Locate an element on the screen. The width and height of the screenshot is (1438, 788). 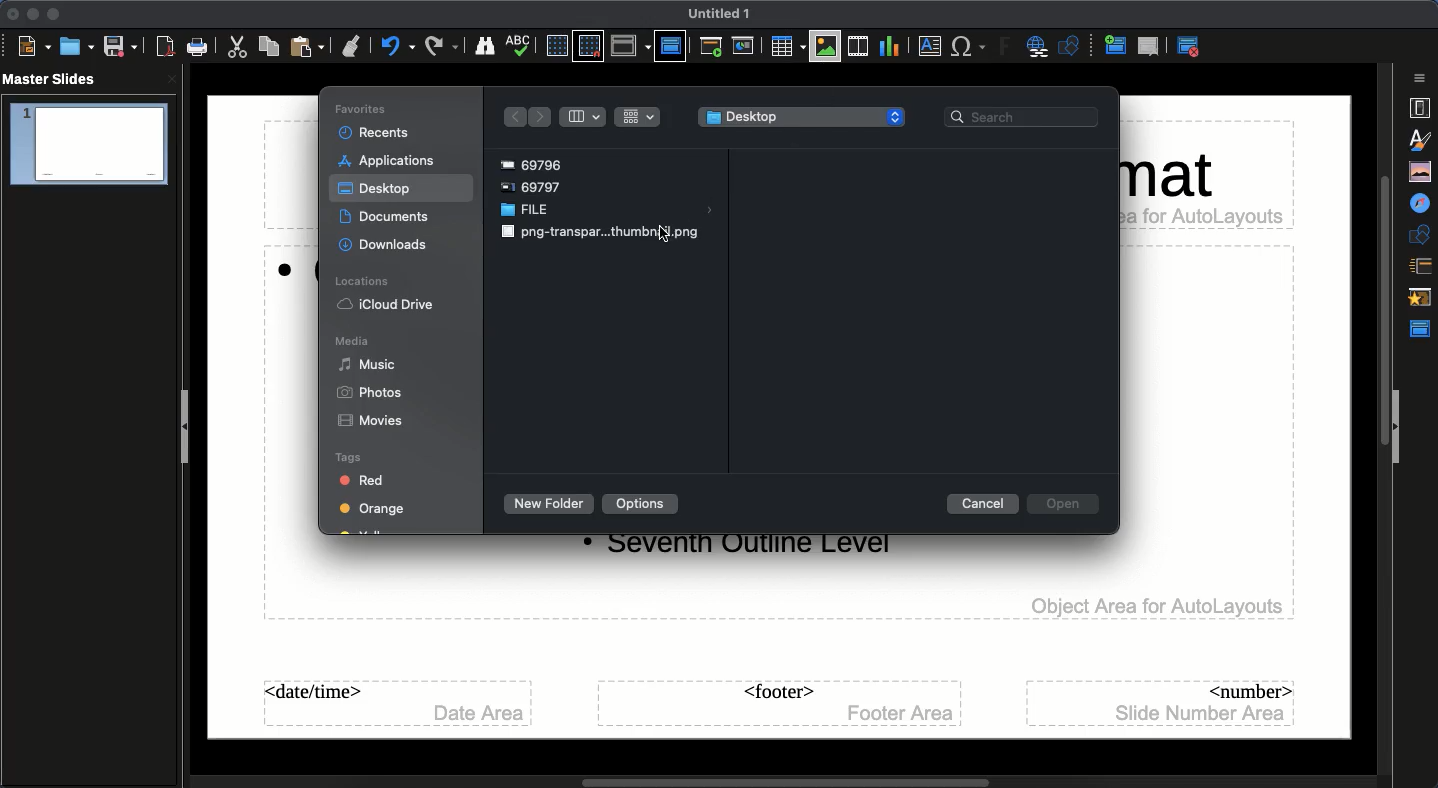
Recents is located at coordinates (378, 134).